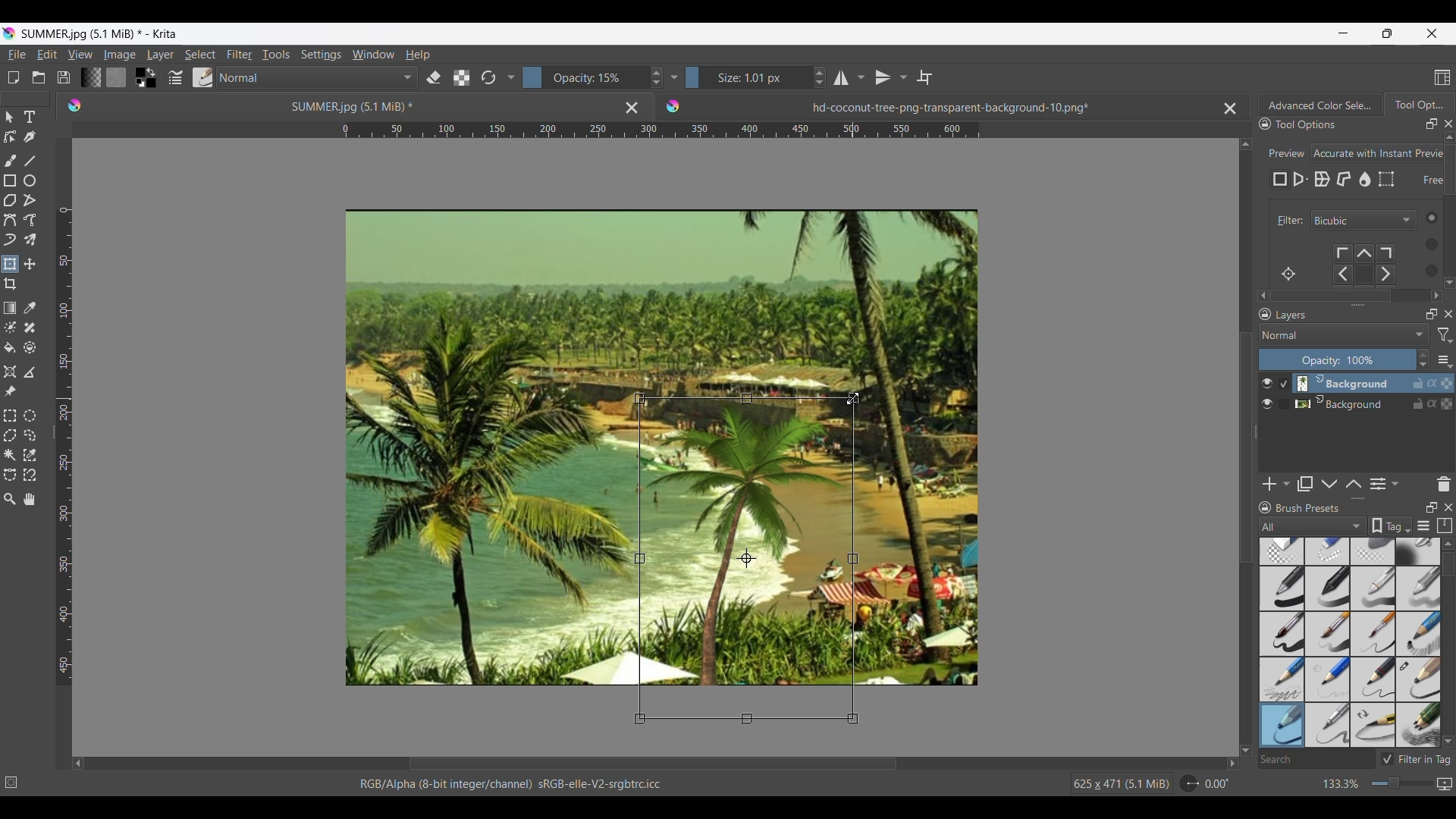 This screenshot has width=1456, height=819. I want to click on Mouse moved transform tool selection, so click(853, 398).